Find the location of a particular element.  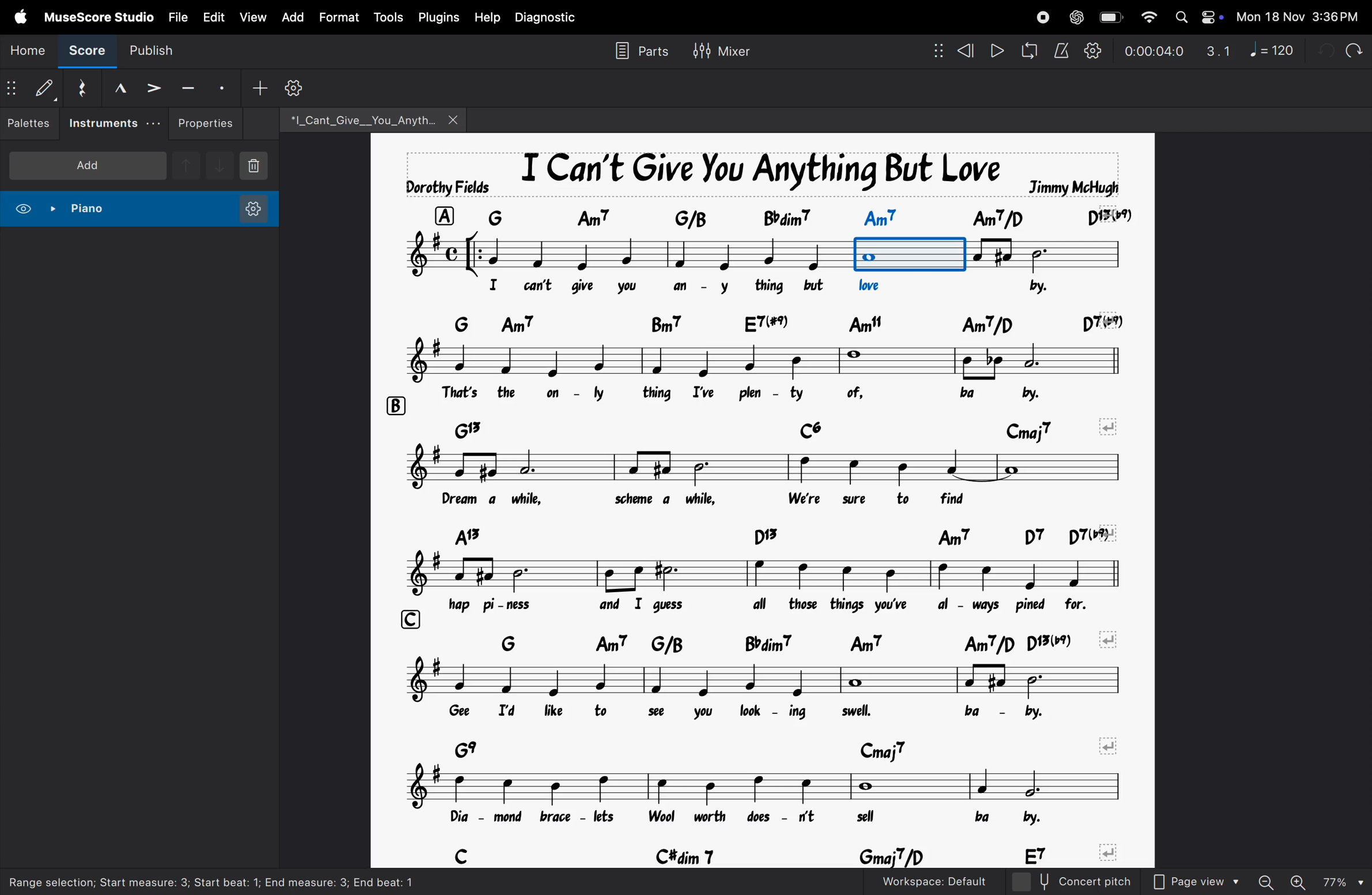

chord symbols is located at coordinates (787, 319).